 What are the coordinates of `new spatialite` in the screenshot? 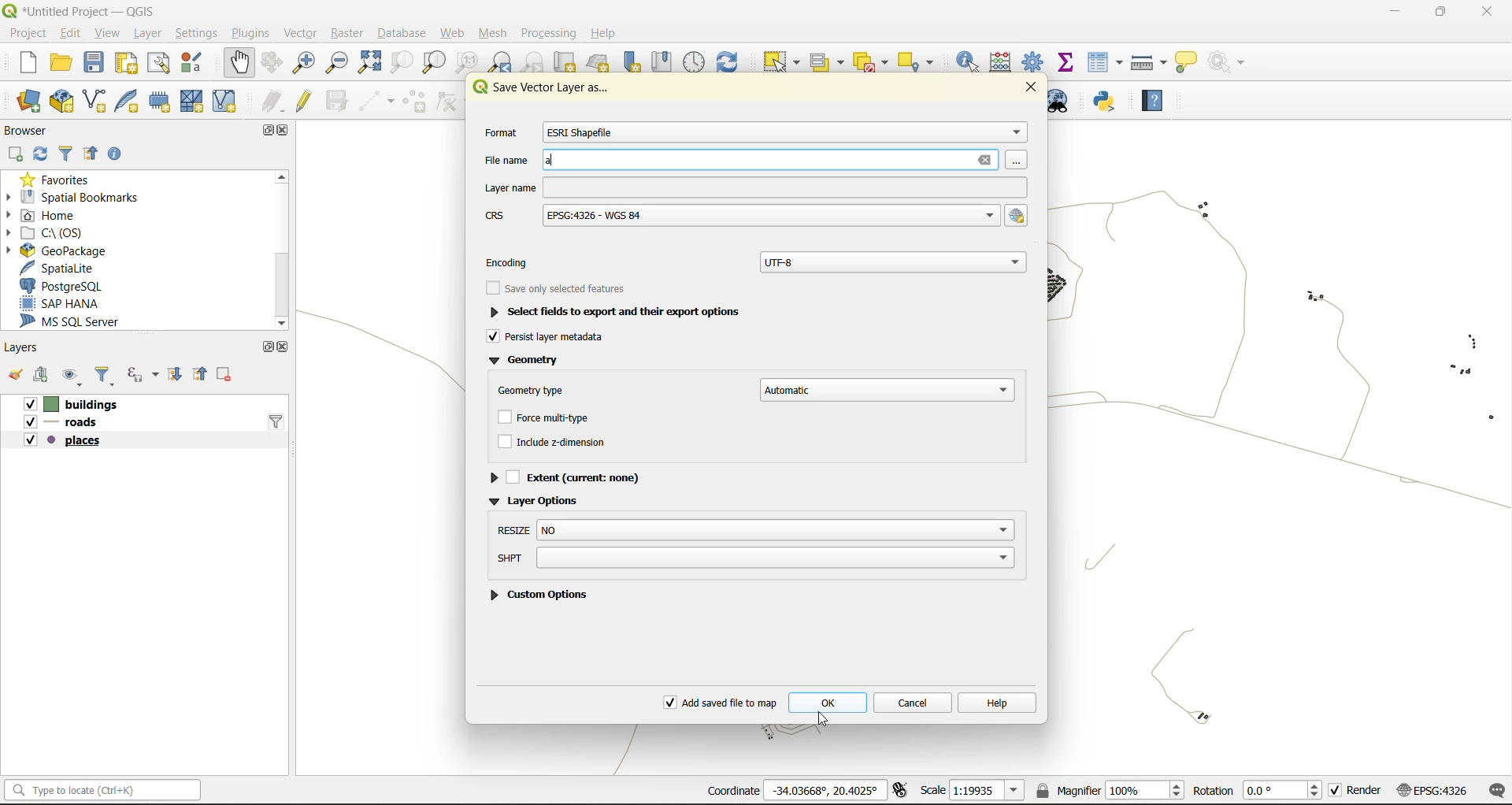 It's located at (128, 99).